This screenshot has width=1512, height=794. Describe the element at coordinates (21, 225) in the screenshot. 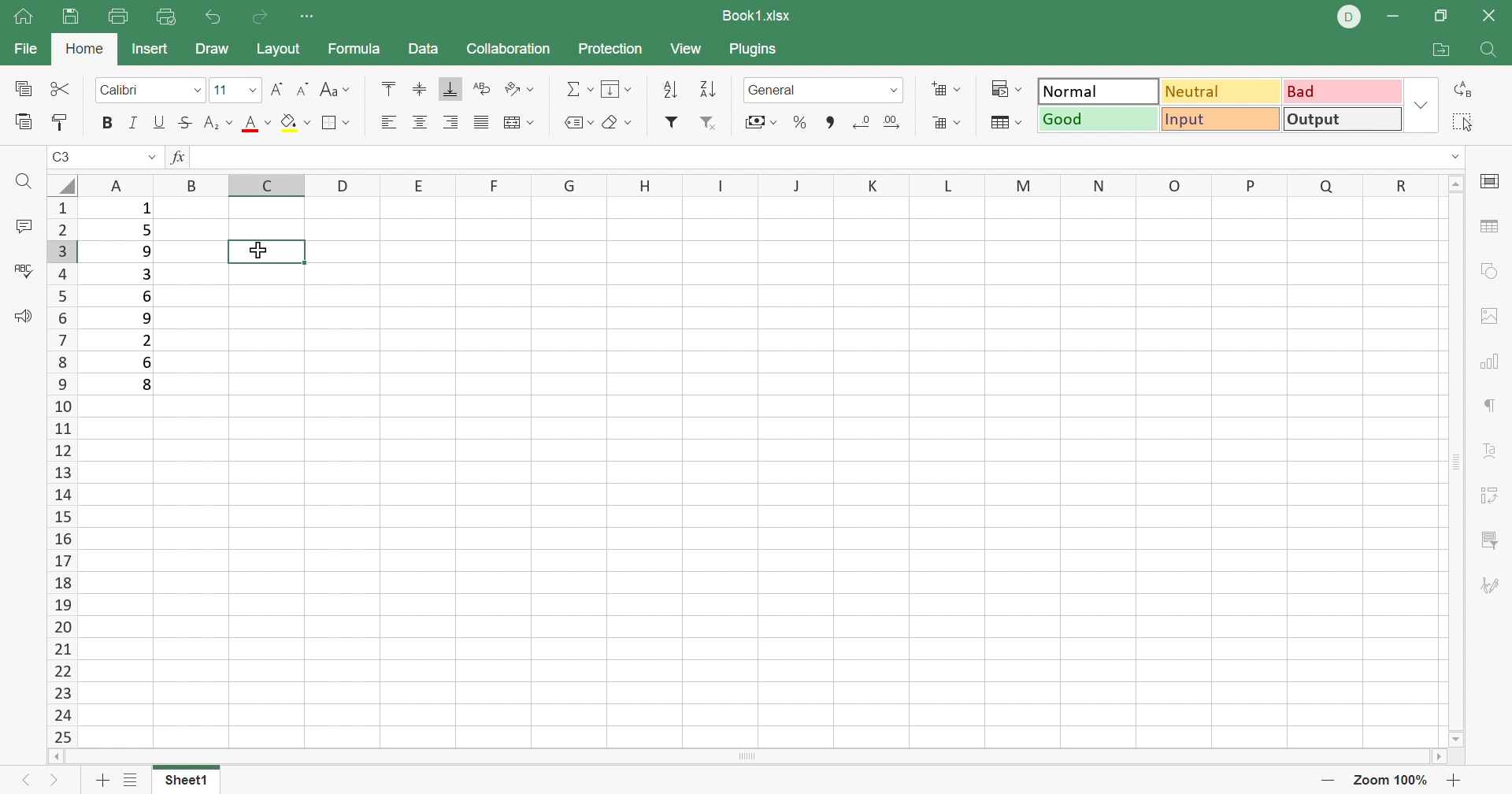

I see `Comments` at that location.